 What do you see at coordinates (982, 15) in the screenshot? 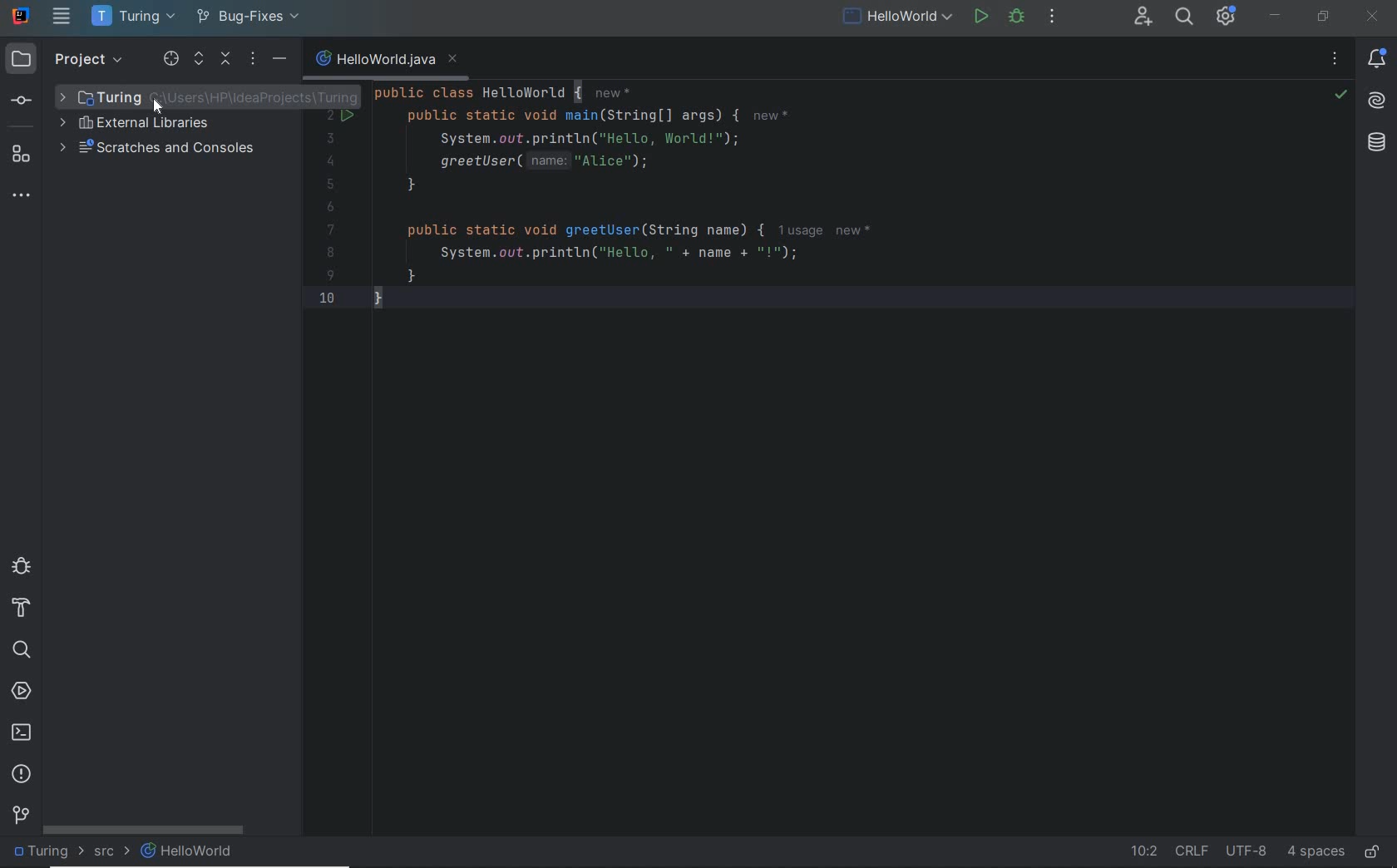
I see `run` at bounding box center [982, 15].